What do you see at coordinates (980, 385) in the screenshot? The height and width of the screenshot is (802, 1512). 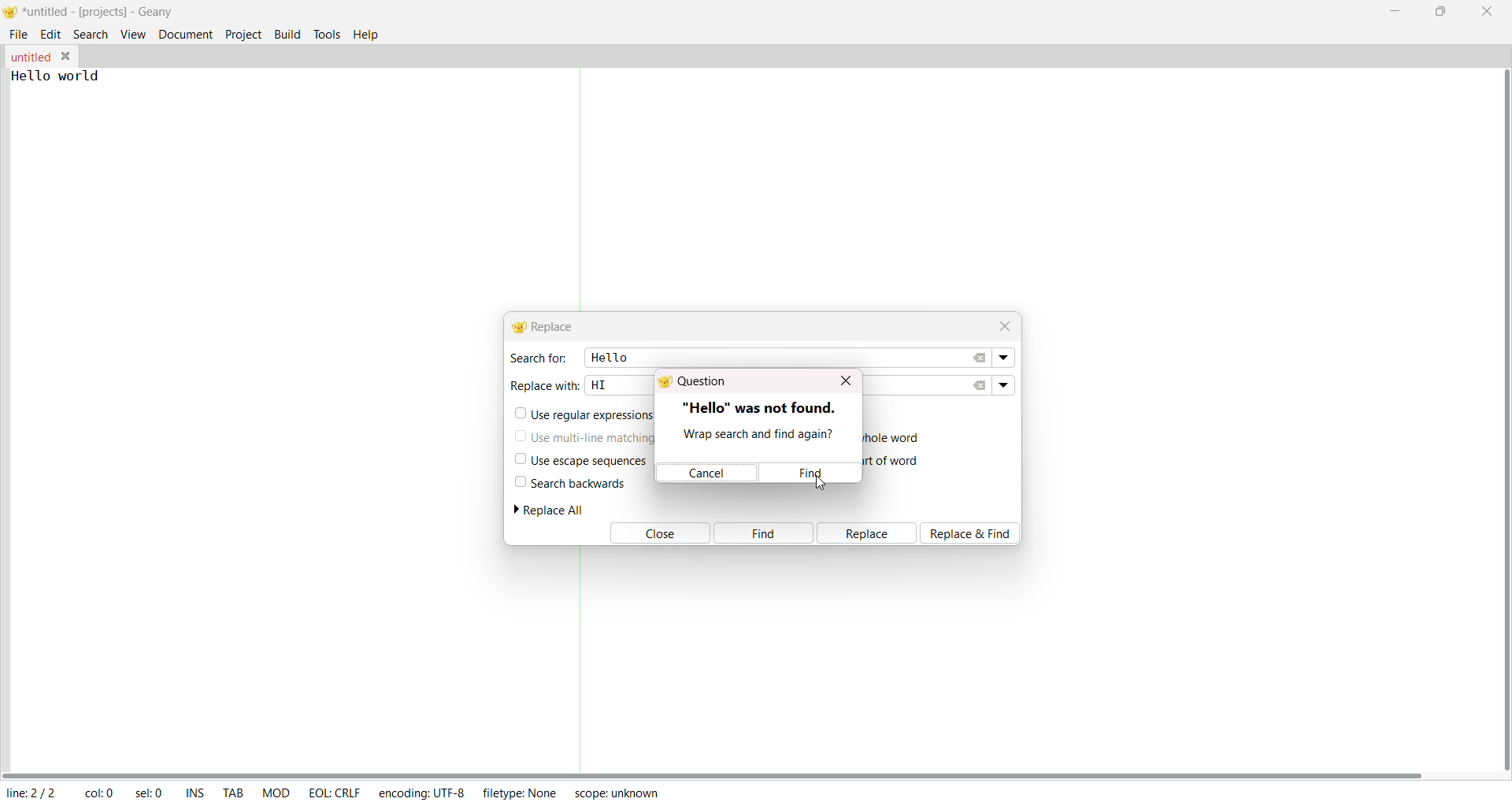 I see `clear replace` at bounding box center [980, 385].